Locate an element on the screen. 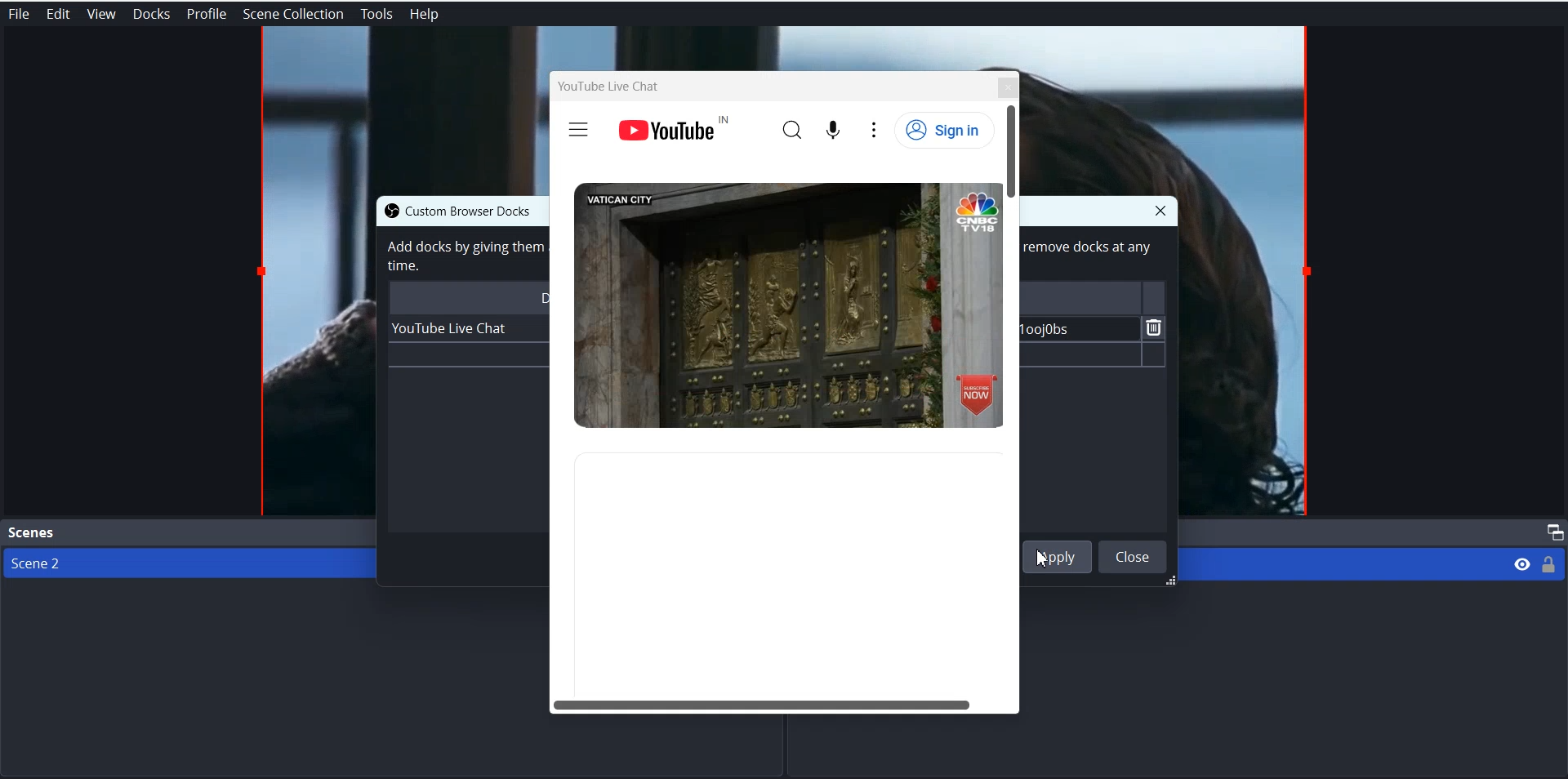 The image size is (1568, 779). Custom Browser Docks is located at coordinates (484, 210).